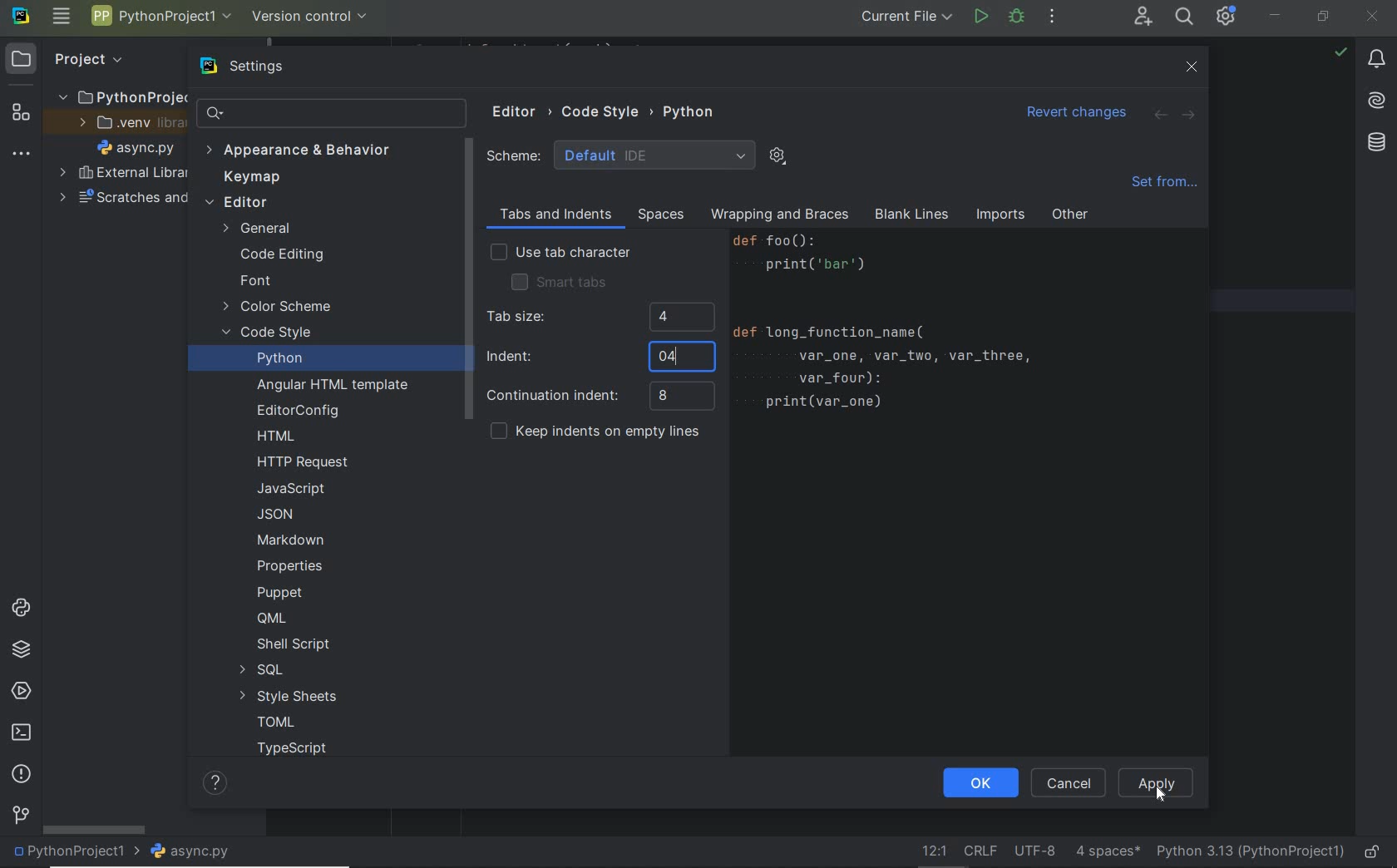  Describe the element at coordinates (116, 199) in the screenshot. I see `scratches and consoles` at that location.